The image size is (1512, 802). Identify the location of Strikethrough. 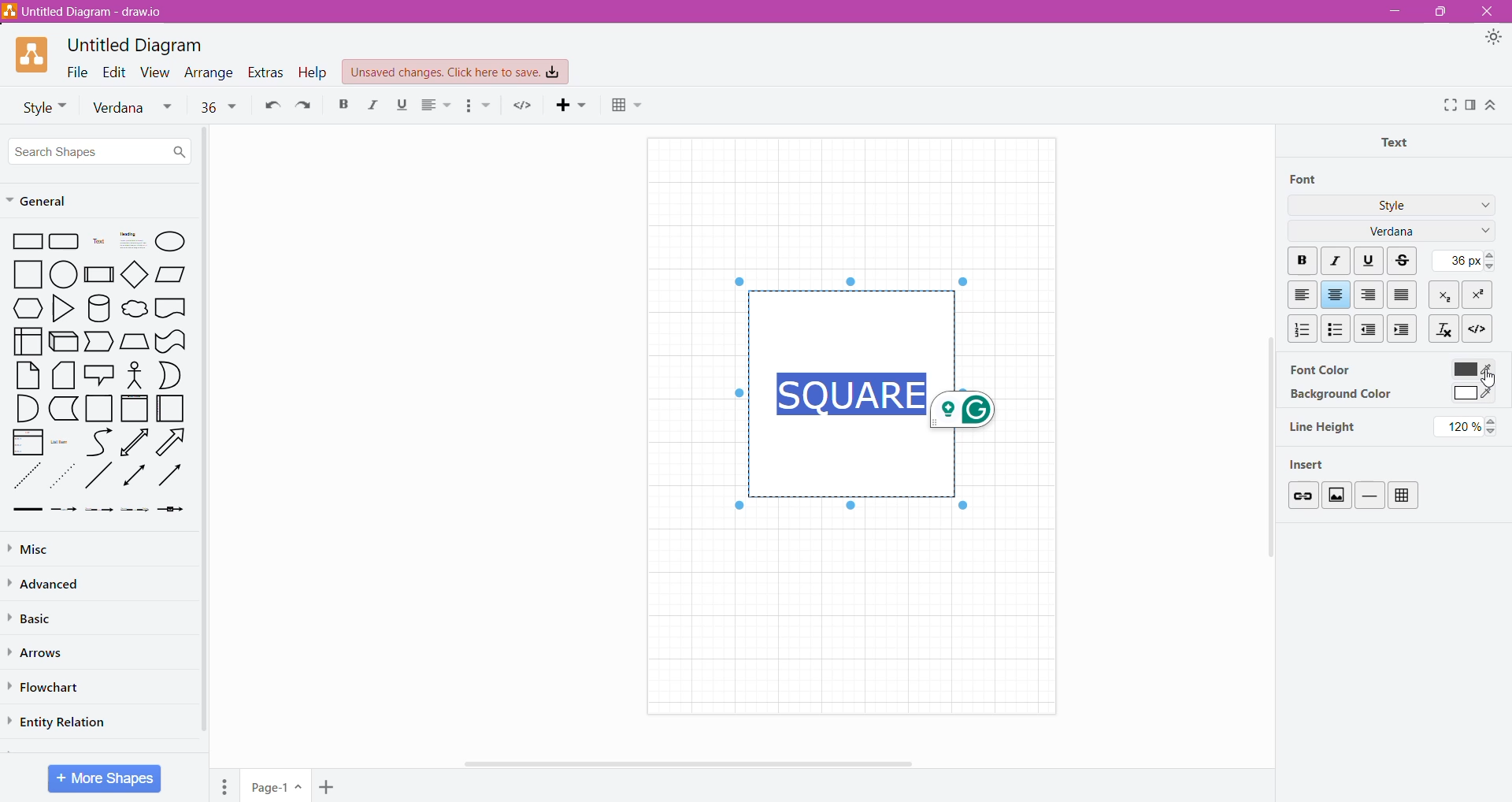
(1404, 261).